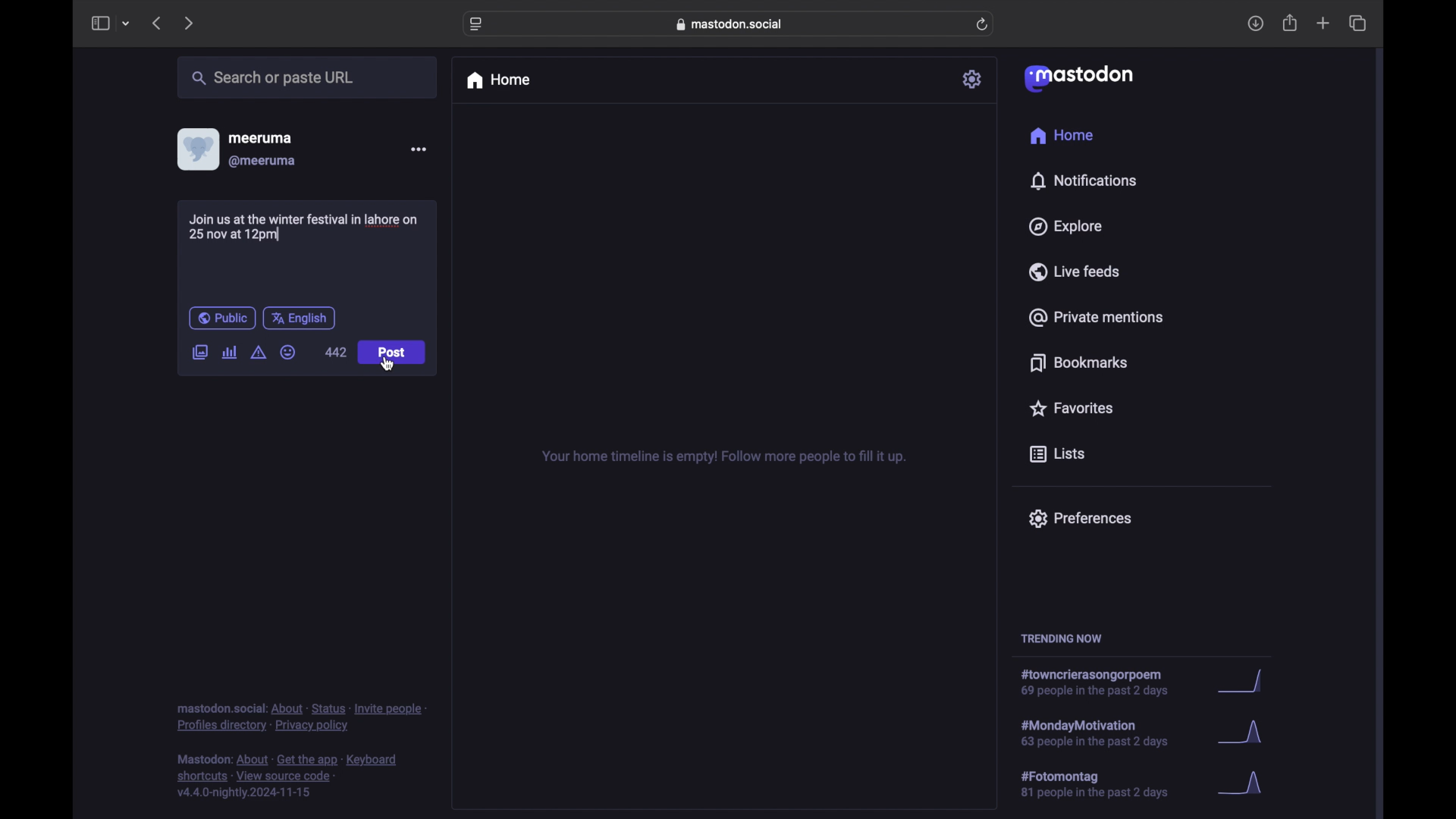 Image resolution: width=1456 pixels, height=819 pixels. What do you see at coordinates (1256, 24) in the screenshot?
I see `download` at bounding box center [1256, 24].